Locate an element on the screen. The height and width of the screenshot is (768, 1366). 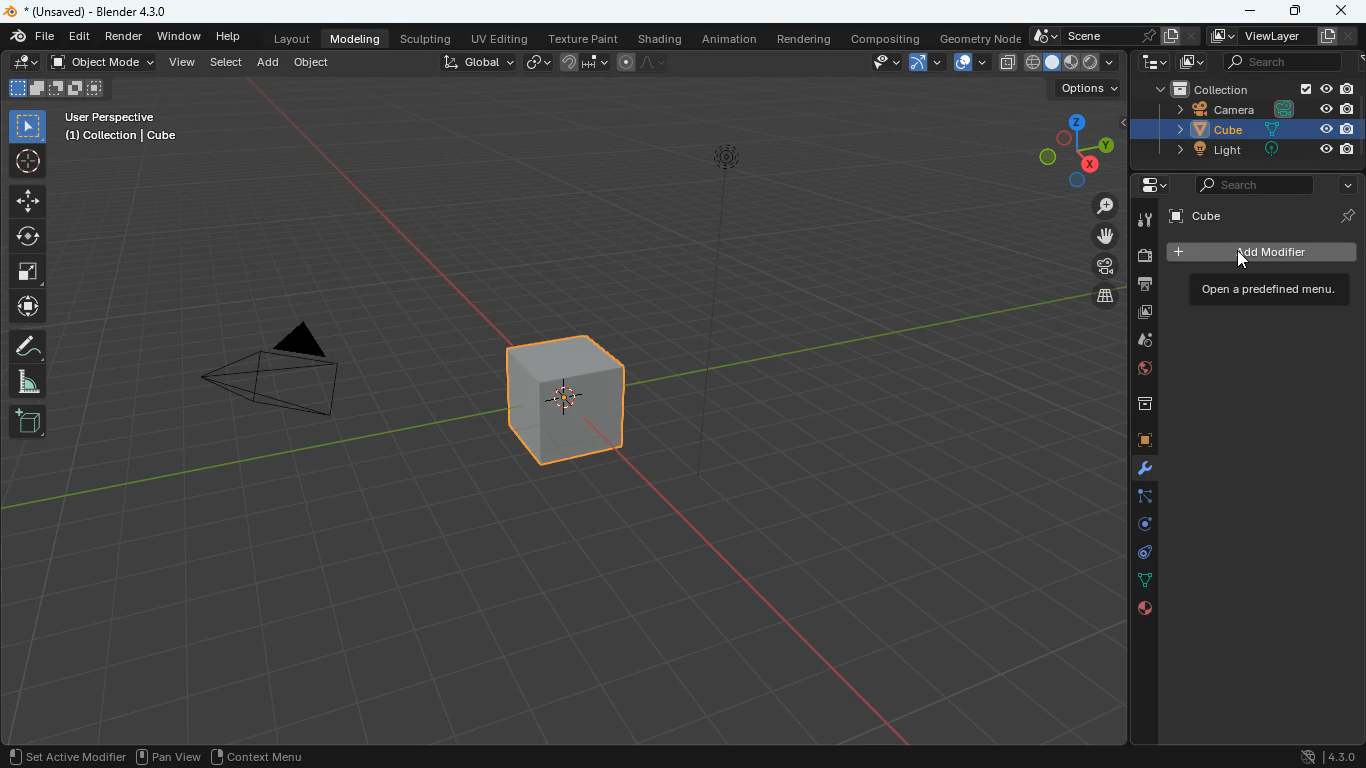
compositing is located at coordinates (884, 38).